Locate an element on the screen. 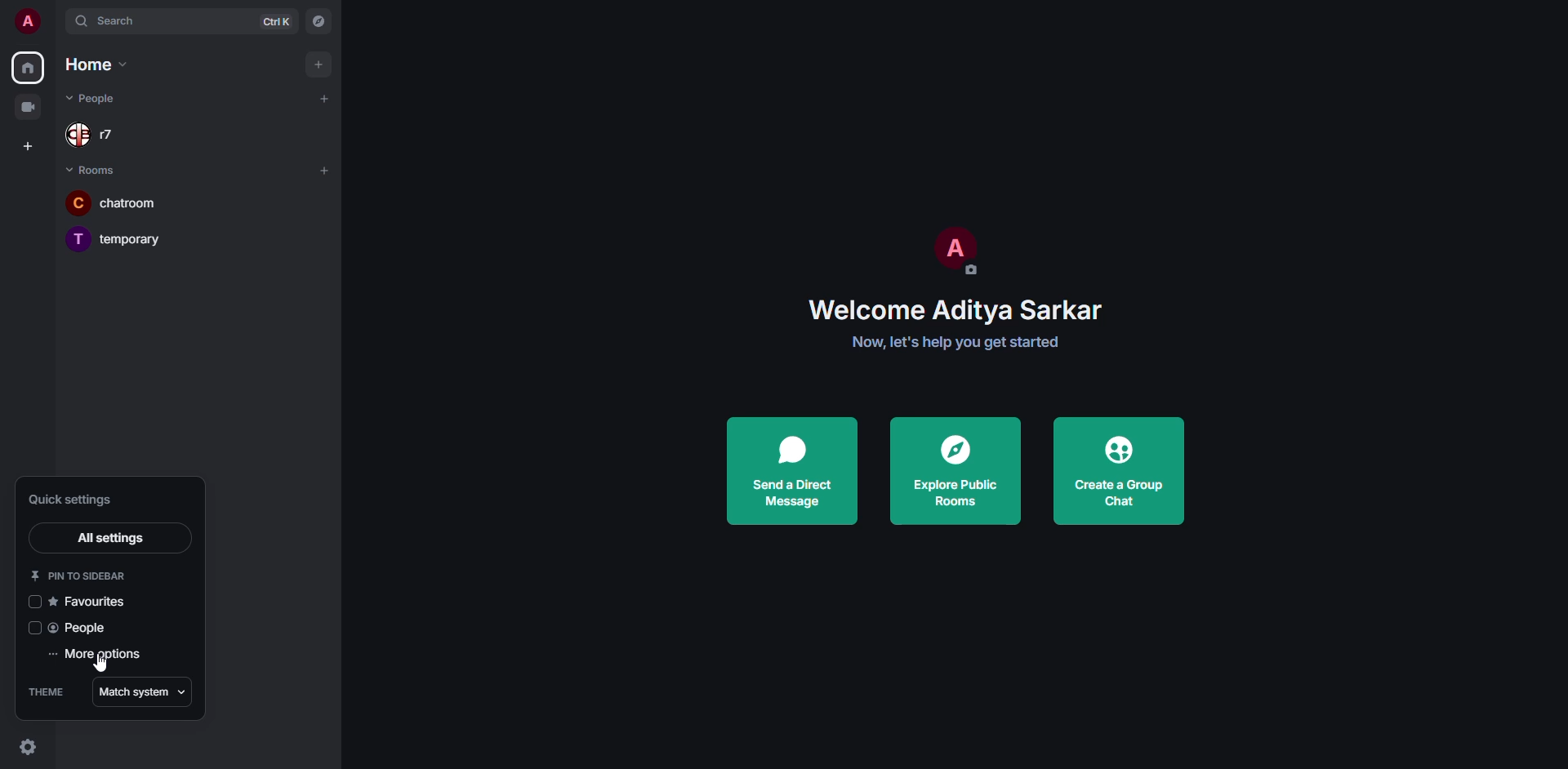 The width and height of the screenshot is (1568, 769). search is located at coordinates (124, 21).